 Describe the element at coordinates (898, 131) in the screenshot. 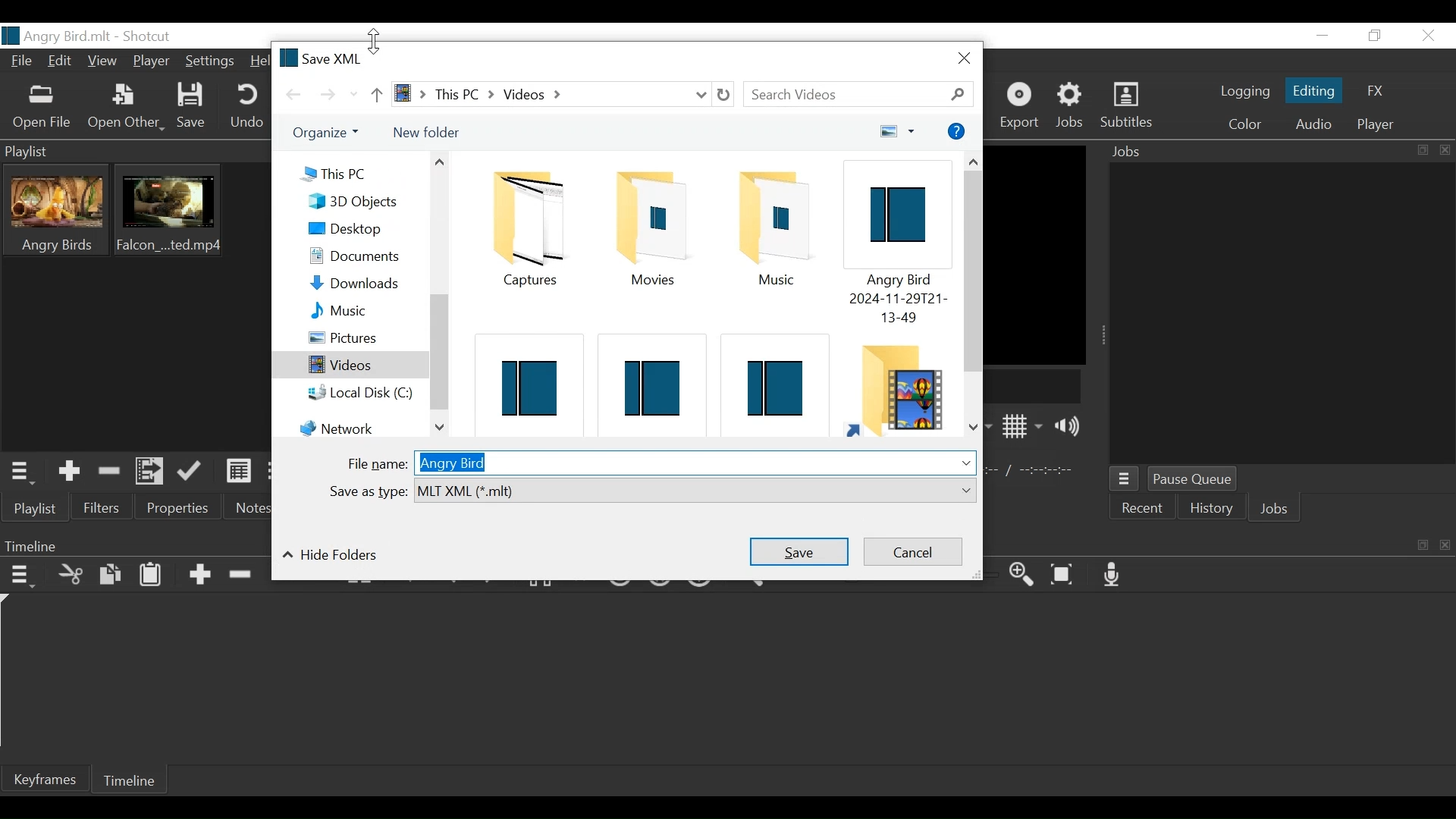

I see `Change your view` at that location.